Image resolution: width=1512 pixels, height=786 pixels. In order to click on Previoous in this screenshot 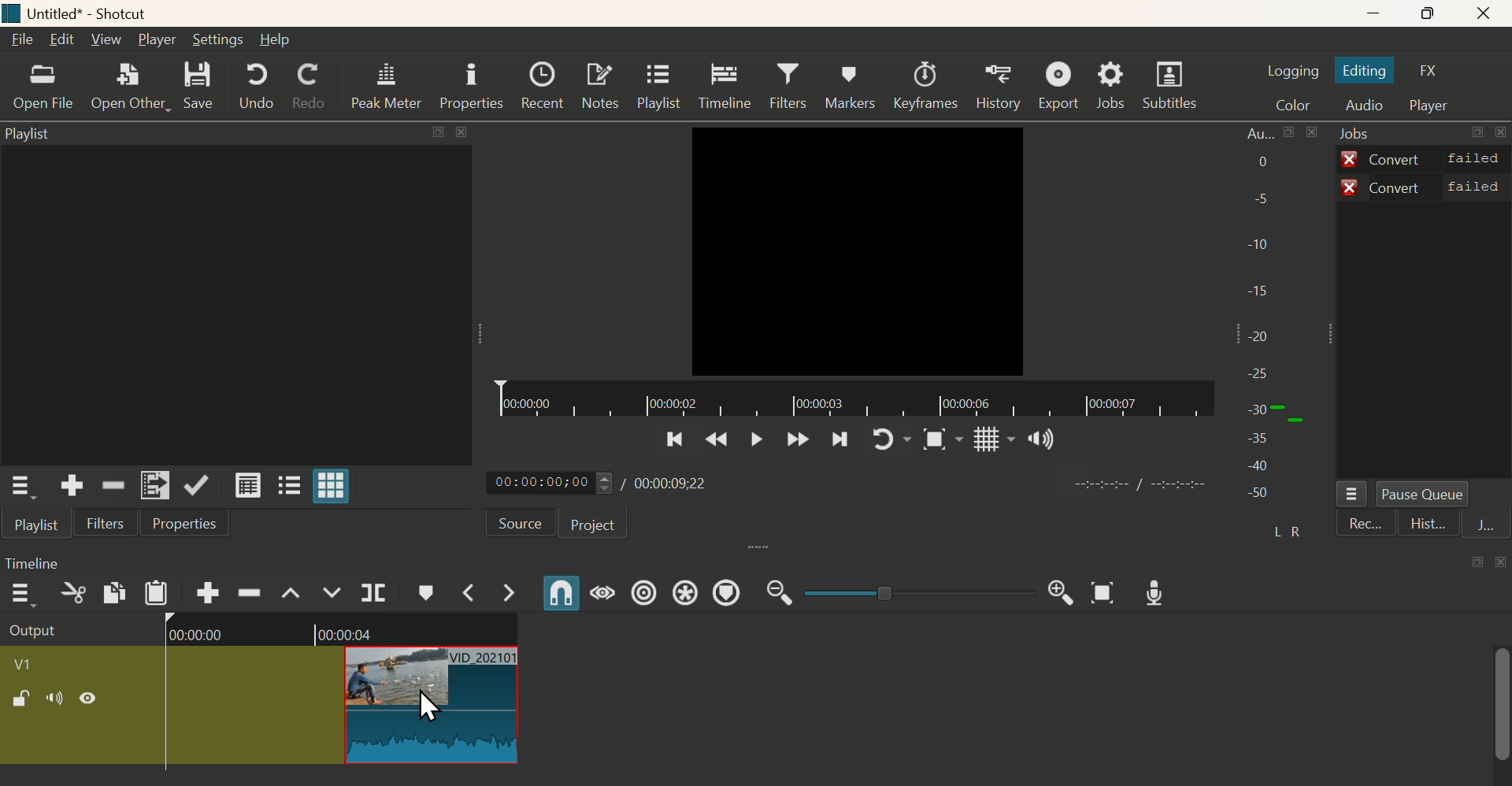, I will do `click(674, 443)`.